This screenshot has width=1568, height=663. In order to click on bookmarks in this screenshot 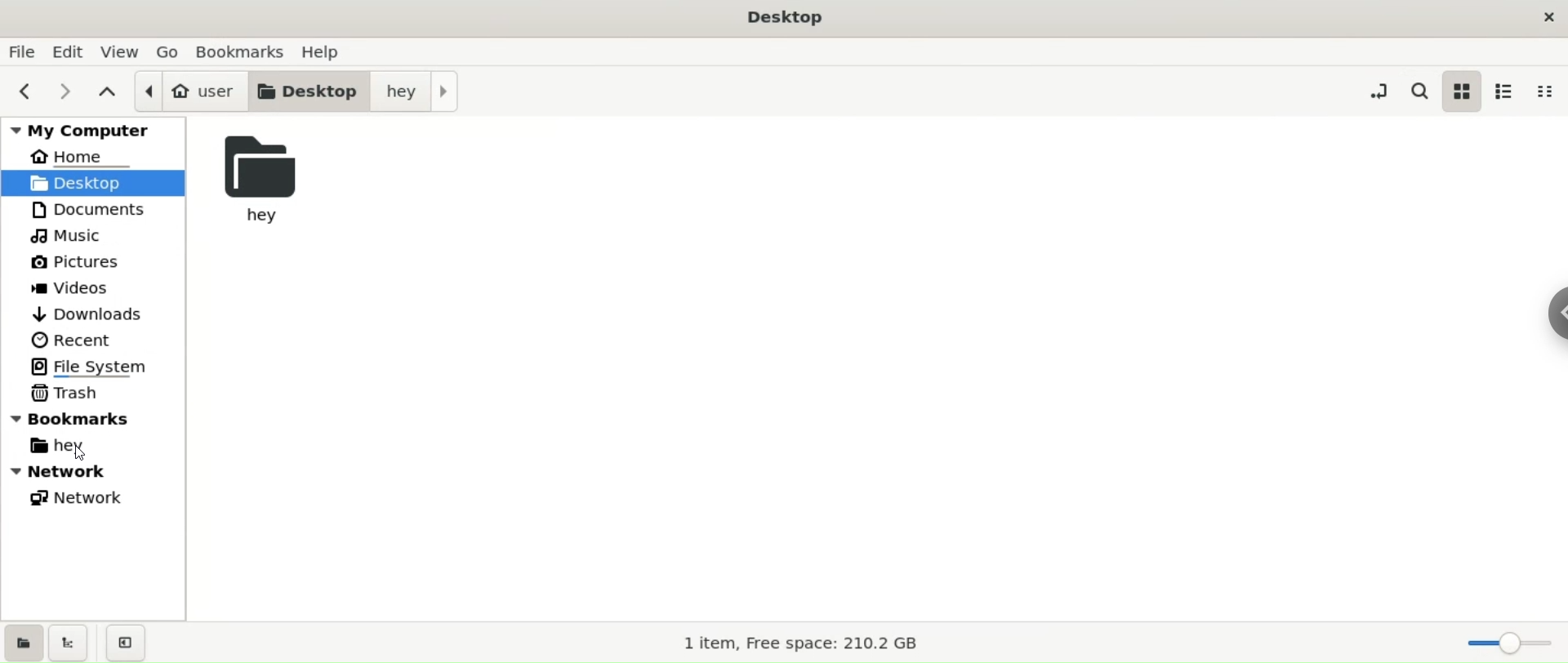, I will do `click(238, 51)`.